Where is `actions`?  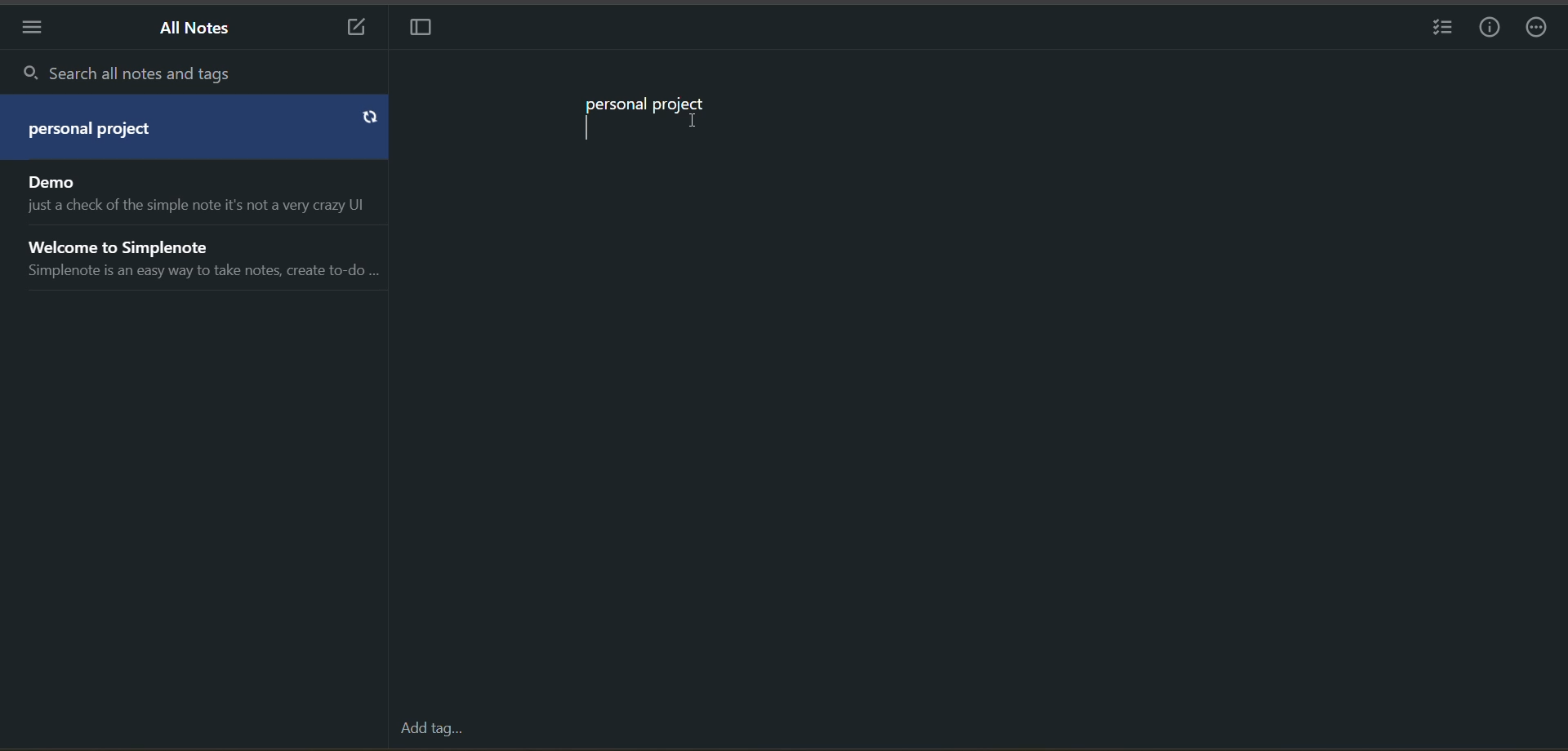 actions is located at coordinates (1539, 30).